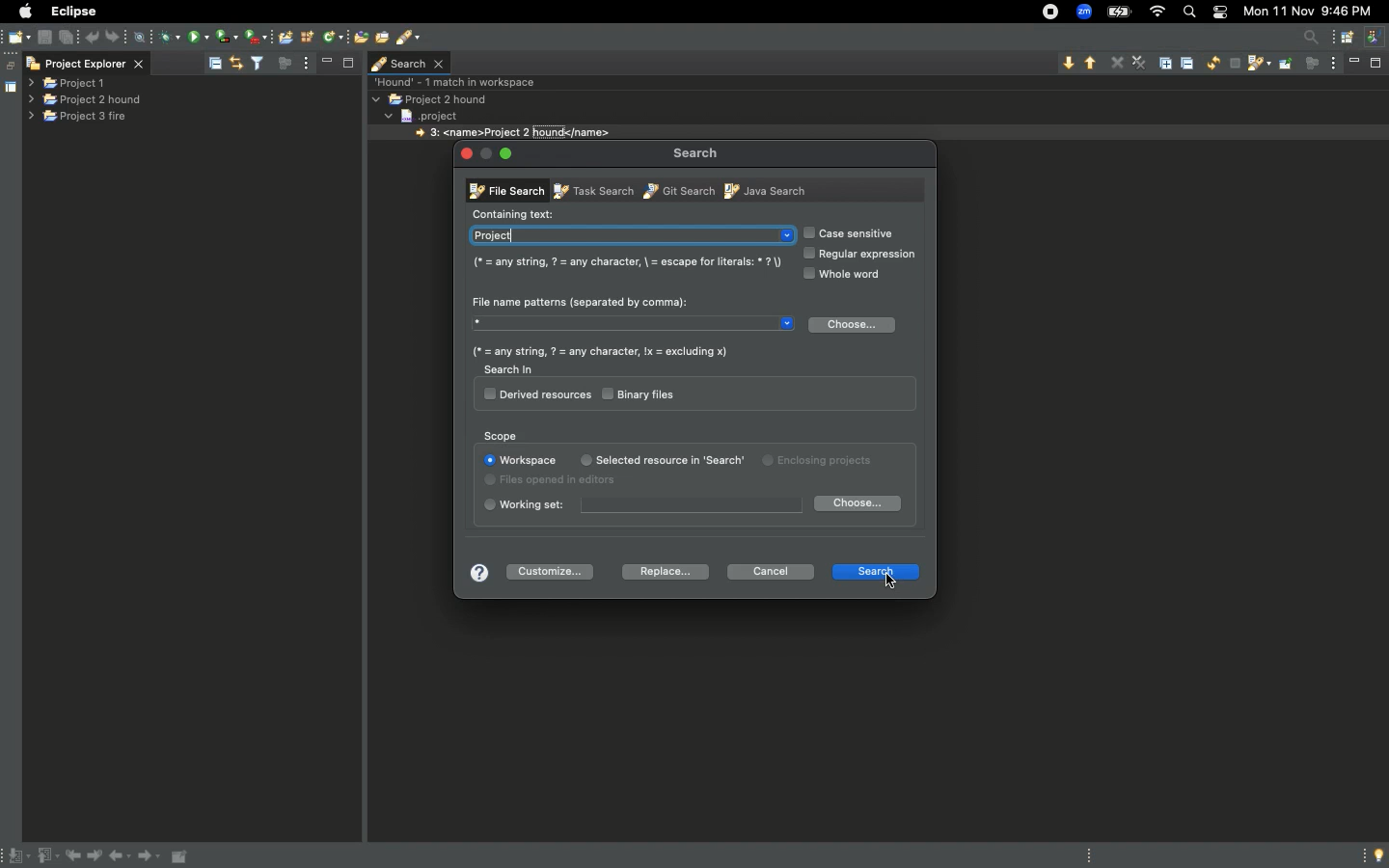 The image size is (1389, 868). I want to click on (* = any string, 7 = any character, \ = escape for literals: * 7), so click(624, 262).